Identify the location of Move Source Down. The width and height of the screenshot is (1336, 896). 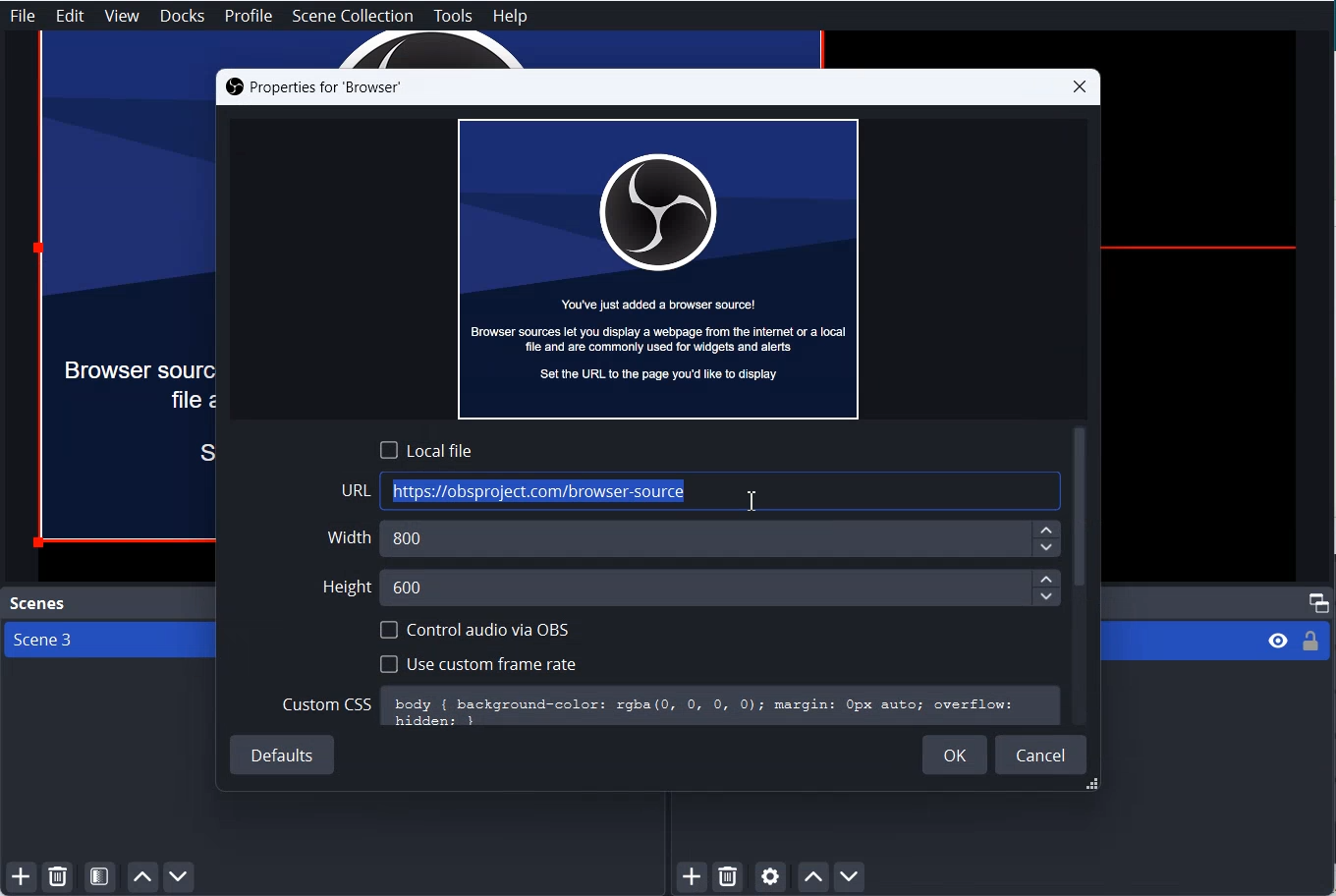
(850, 875).